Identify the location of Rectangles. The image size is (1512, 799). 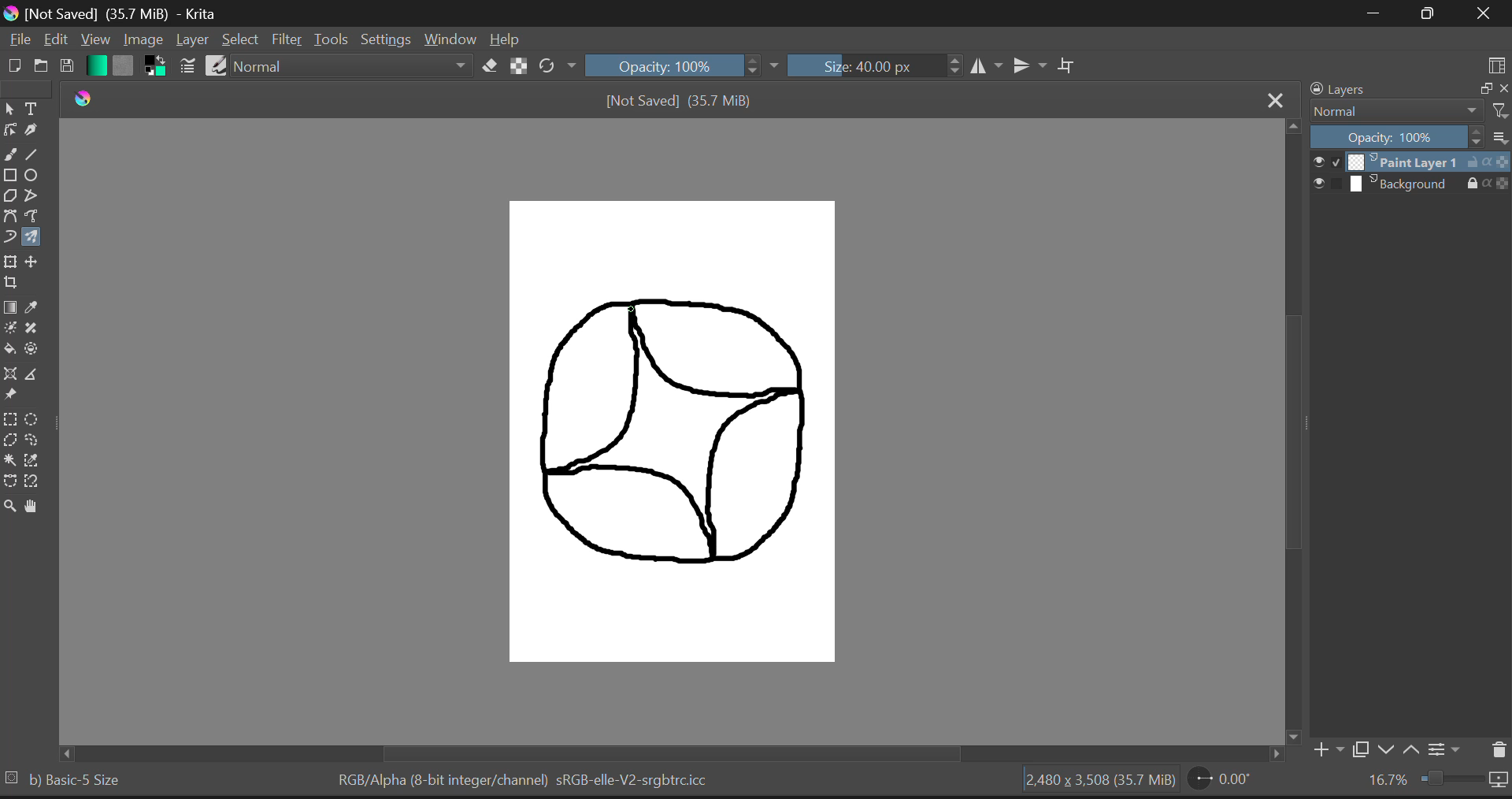
(10, 175).